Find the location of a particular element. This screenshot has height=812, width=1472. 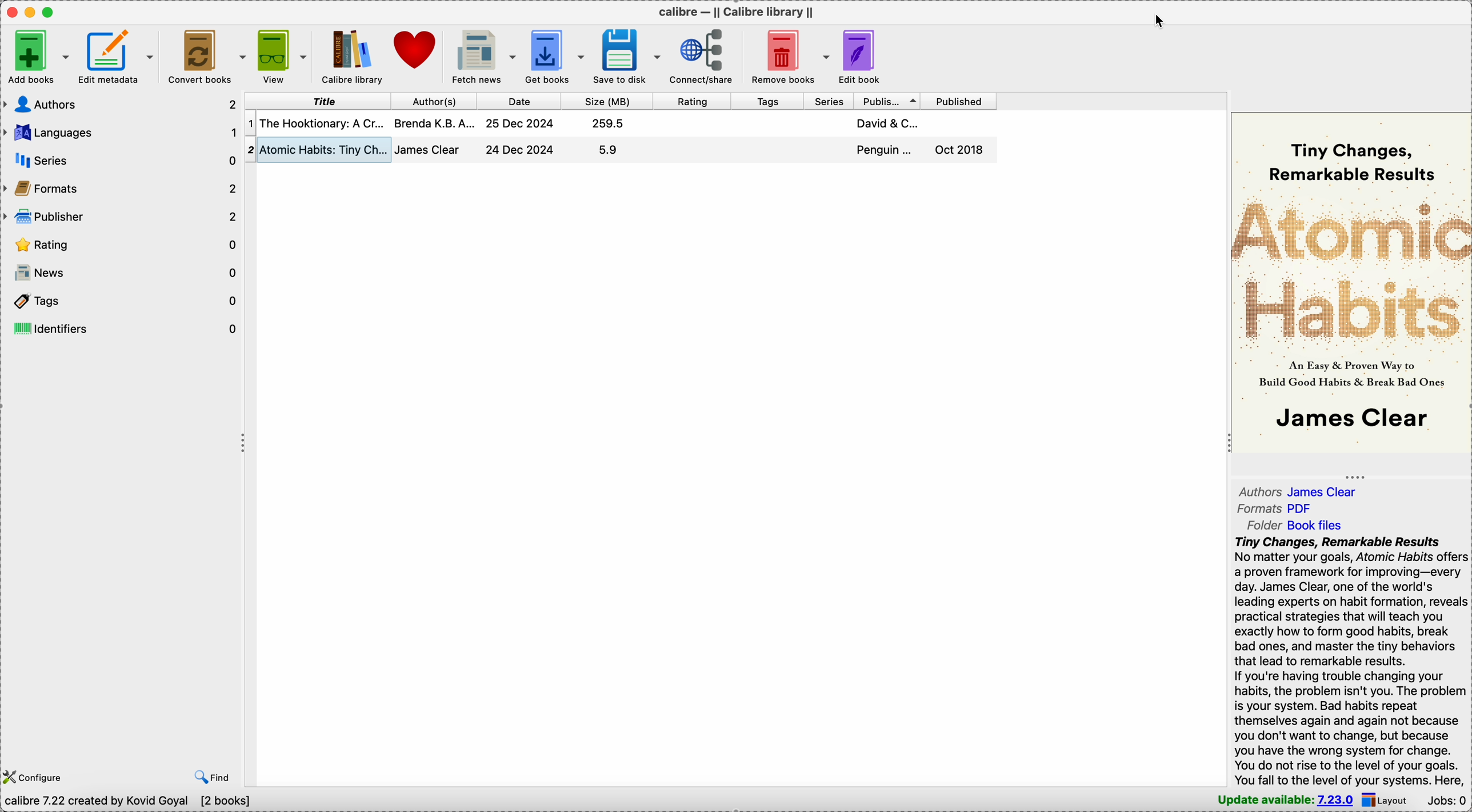

remove books is located at coordinates (789, 54).